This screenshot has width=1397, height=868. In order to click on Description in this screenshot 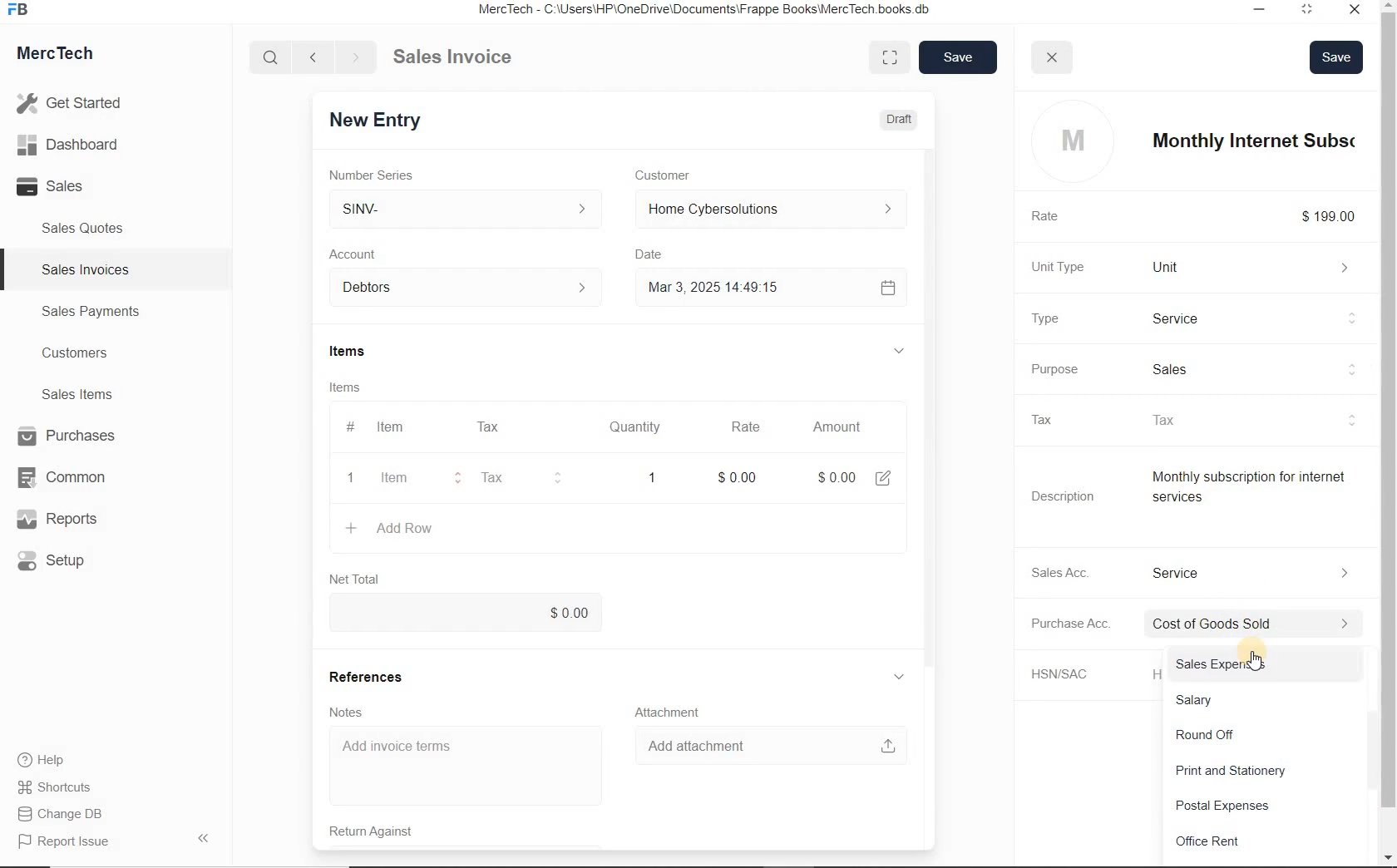, I will do `click(1073, 496)`.